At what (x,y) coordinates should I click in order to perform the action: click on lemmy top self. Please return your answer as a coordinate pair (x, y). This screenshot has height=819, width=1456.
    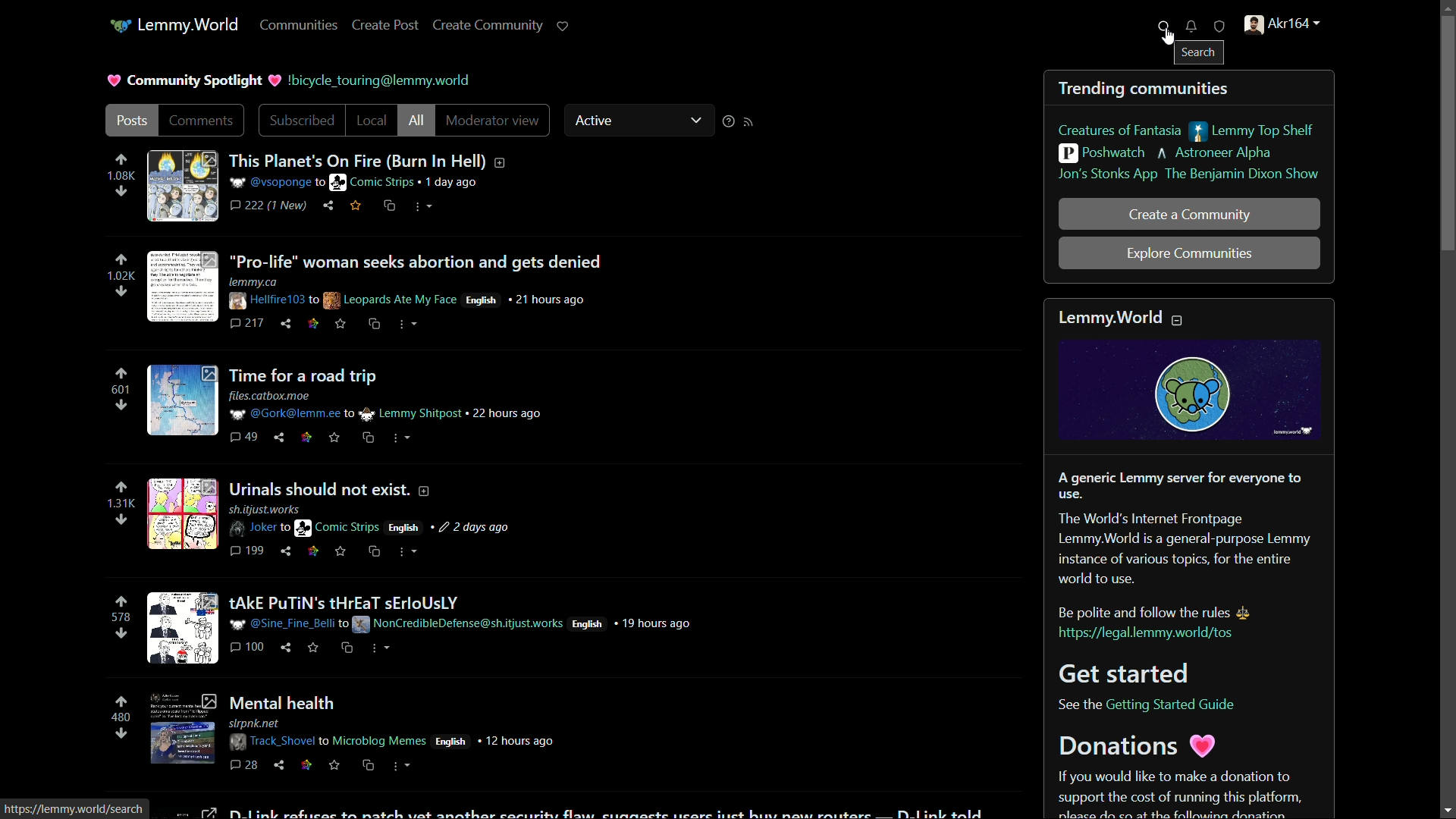
    Looking at the image, I should click on (1252, 132).